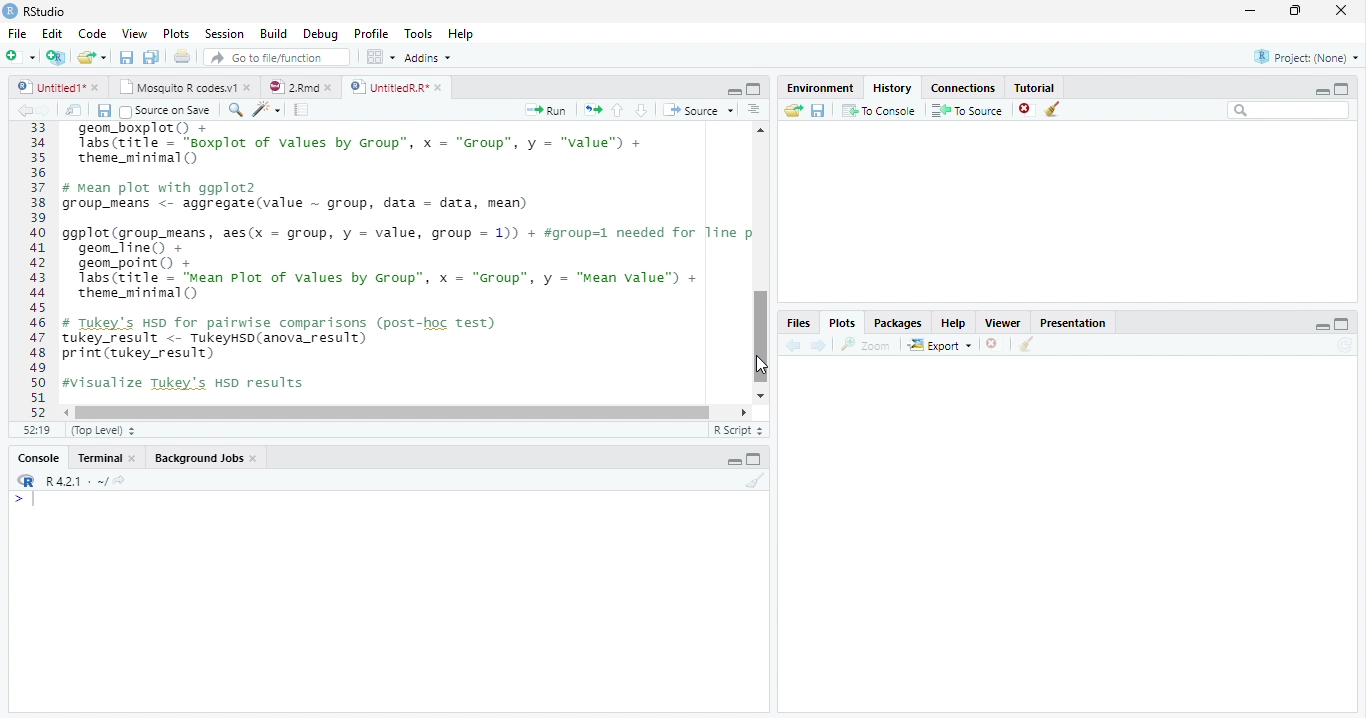 Image resolution: width=1366 pixels, height=718 pixels. What do you see at coordinates (420, 33) in the screenshot?
I see `Tools` at bounding box center [420, 33].